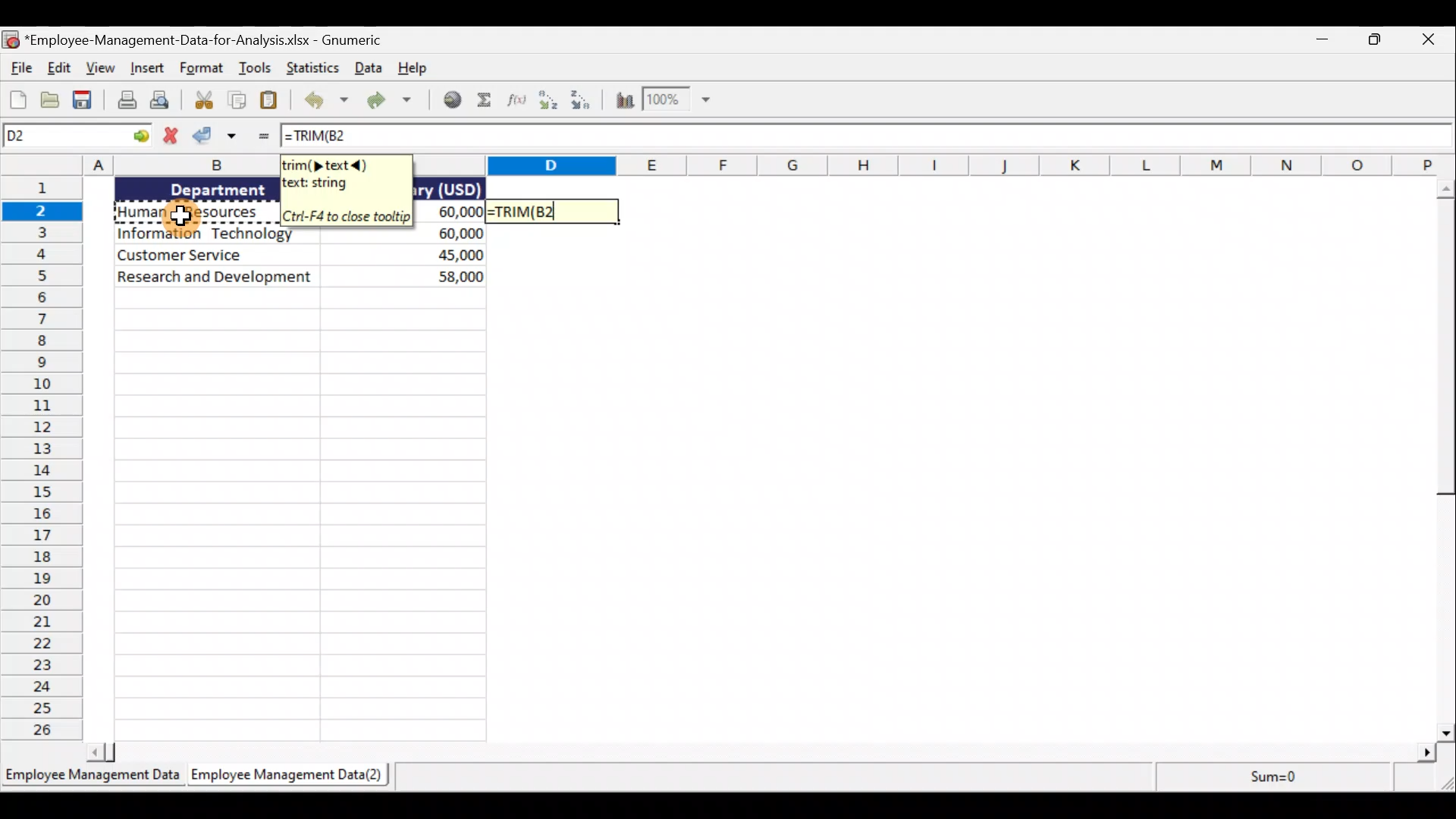 The width and height of the screenshot is (1456, 819). Describe the element at coordinates (53, 99) in the screenshot. I see `Open a file` at that location.